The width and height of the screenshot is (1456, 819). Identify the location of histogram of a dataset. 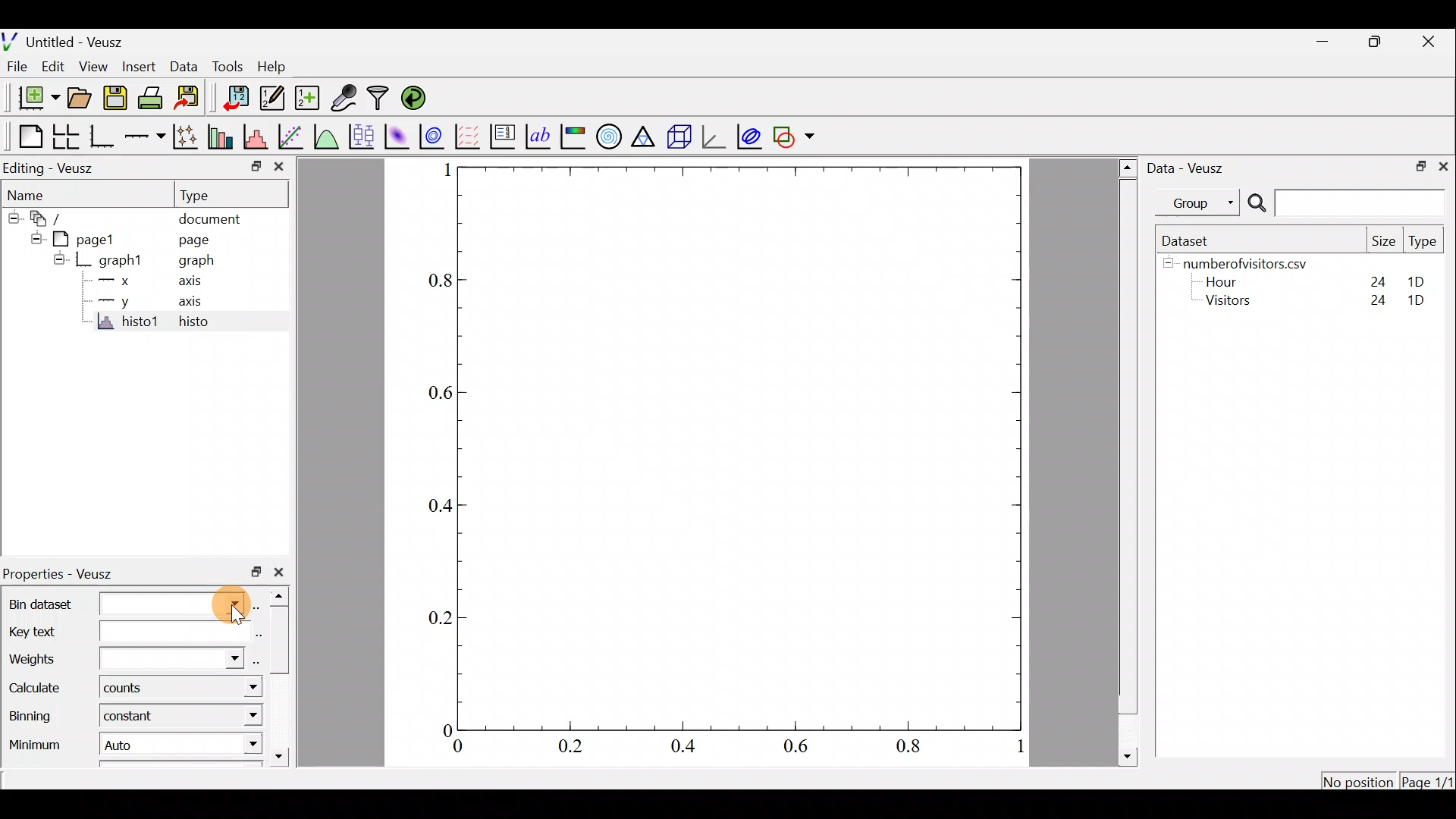
(256, 133).